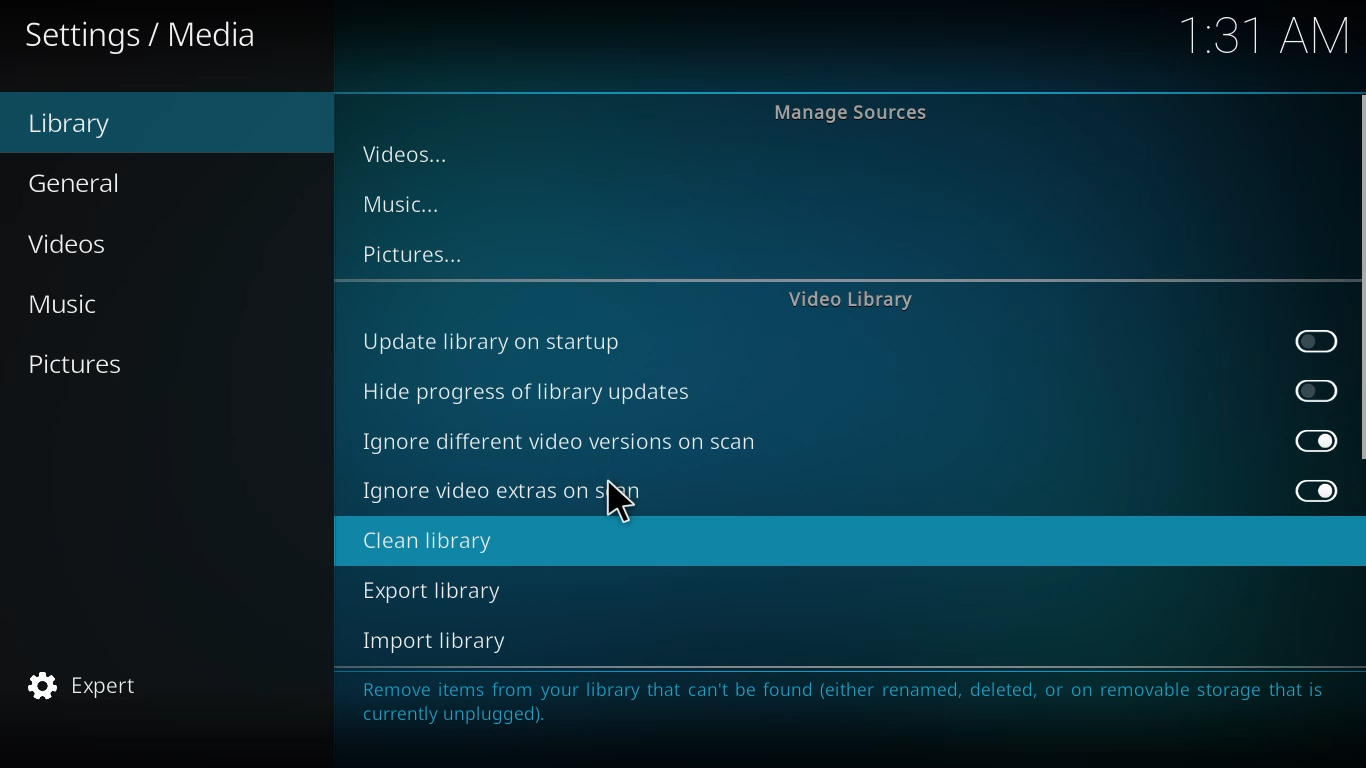 This screenshot has height=768, width=1366. What do you see at coordinates (1256, 38) in the screenshot?
I see `time` at bounding box center [1256, 38].